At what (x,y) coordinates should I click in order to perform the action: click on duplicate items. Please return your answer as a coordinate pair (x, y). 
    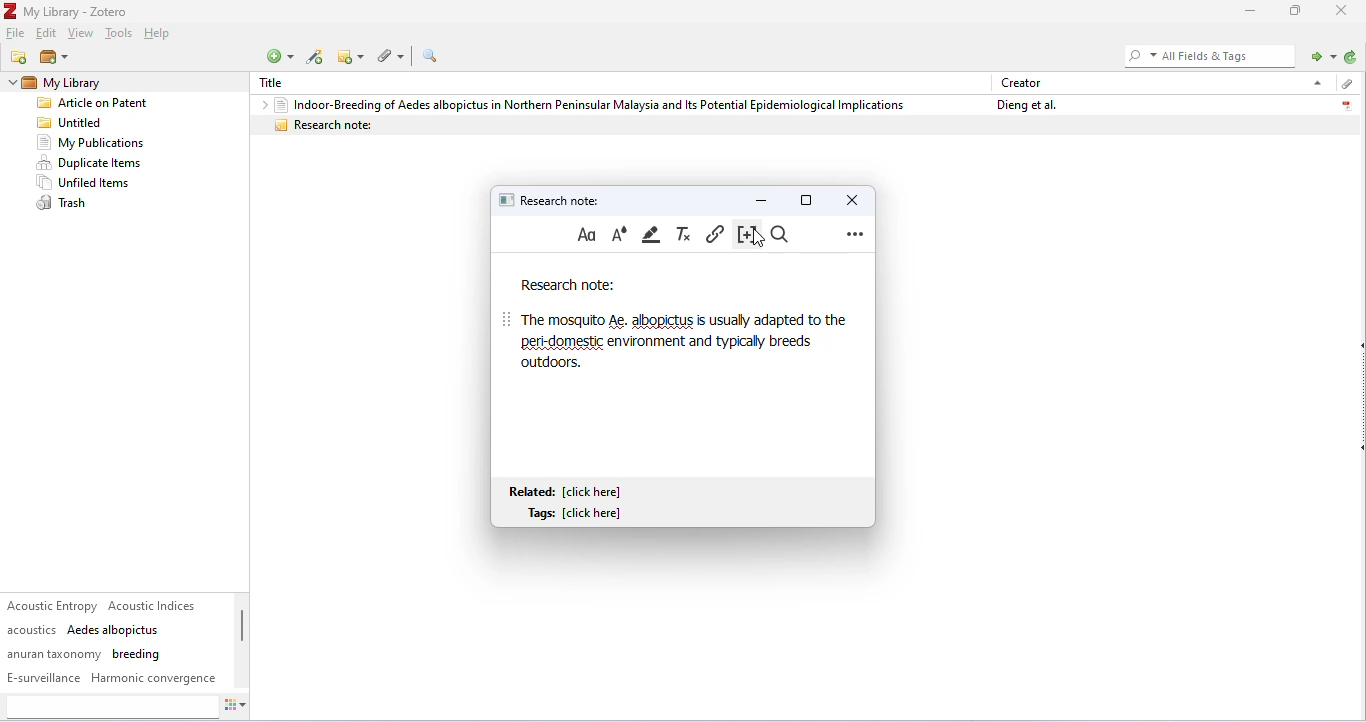
    Looking at the image, I should click on (91, 163).